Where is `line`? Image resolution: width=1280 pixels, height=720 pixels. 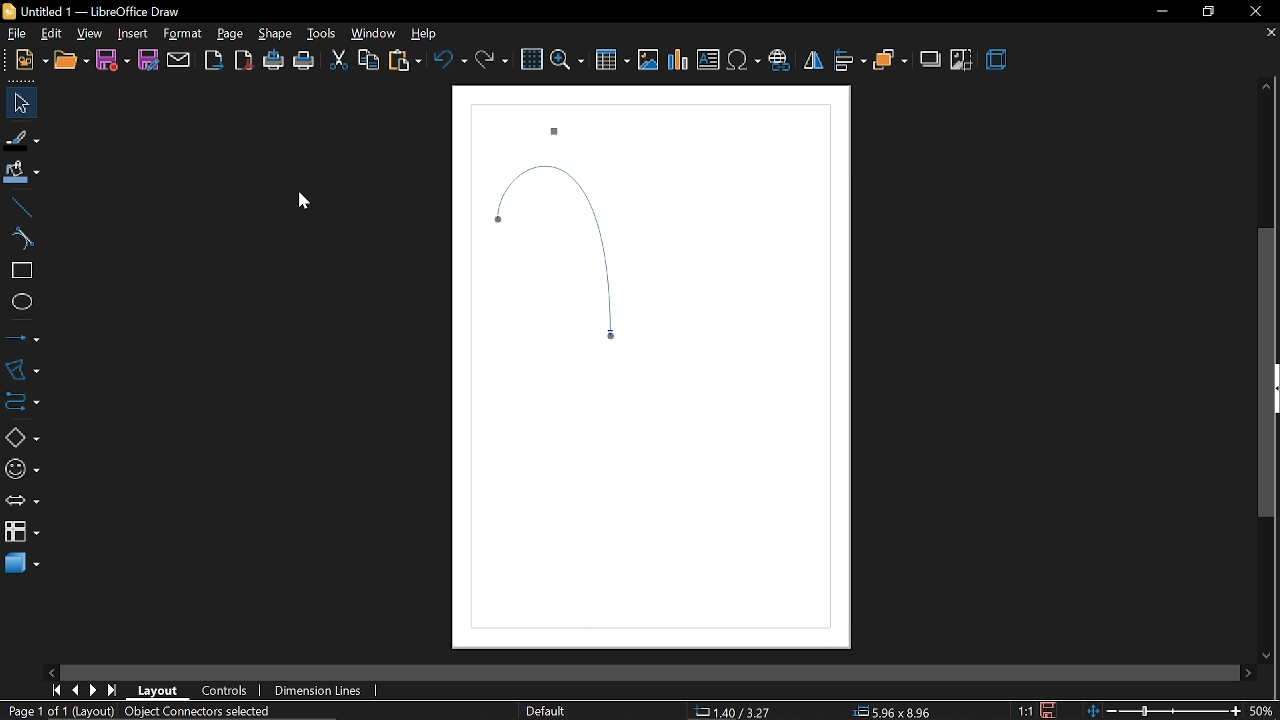 line is located at coordinates (18, 205).